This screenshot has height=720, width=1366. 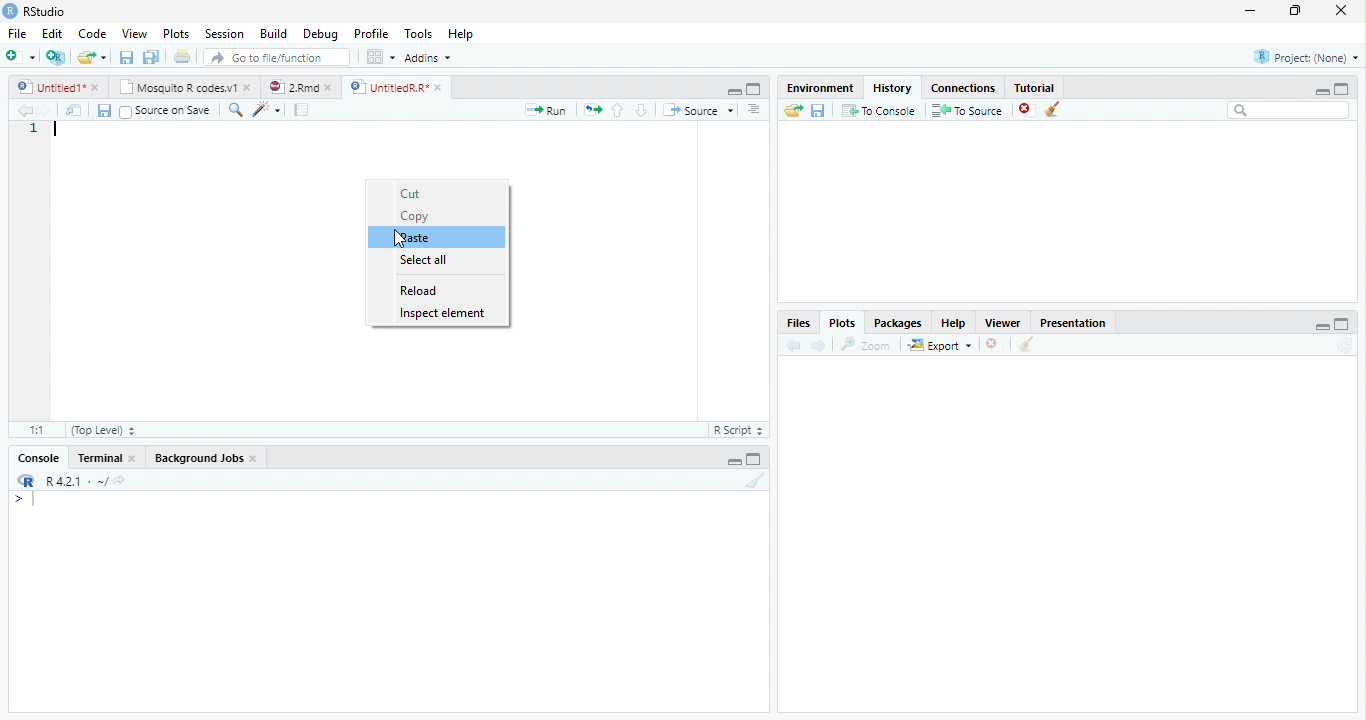 I want to click on Background Jobs, so click(x=200, y=459).